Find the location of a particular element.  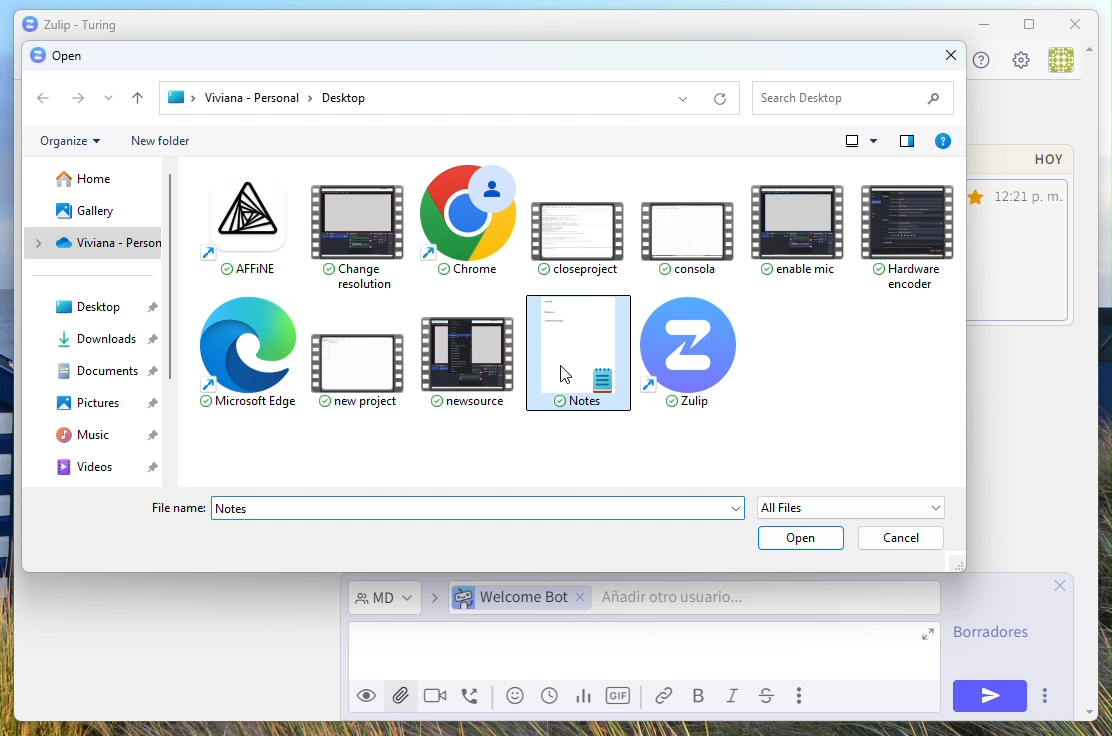

Path is located at coordinates (453, 97).